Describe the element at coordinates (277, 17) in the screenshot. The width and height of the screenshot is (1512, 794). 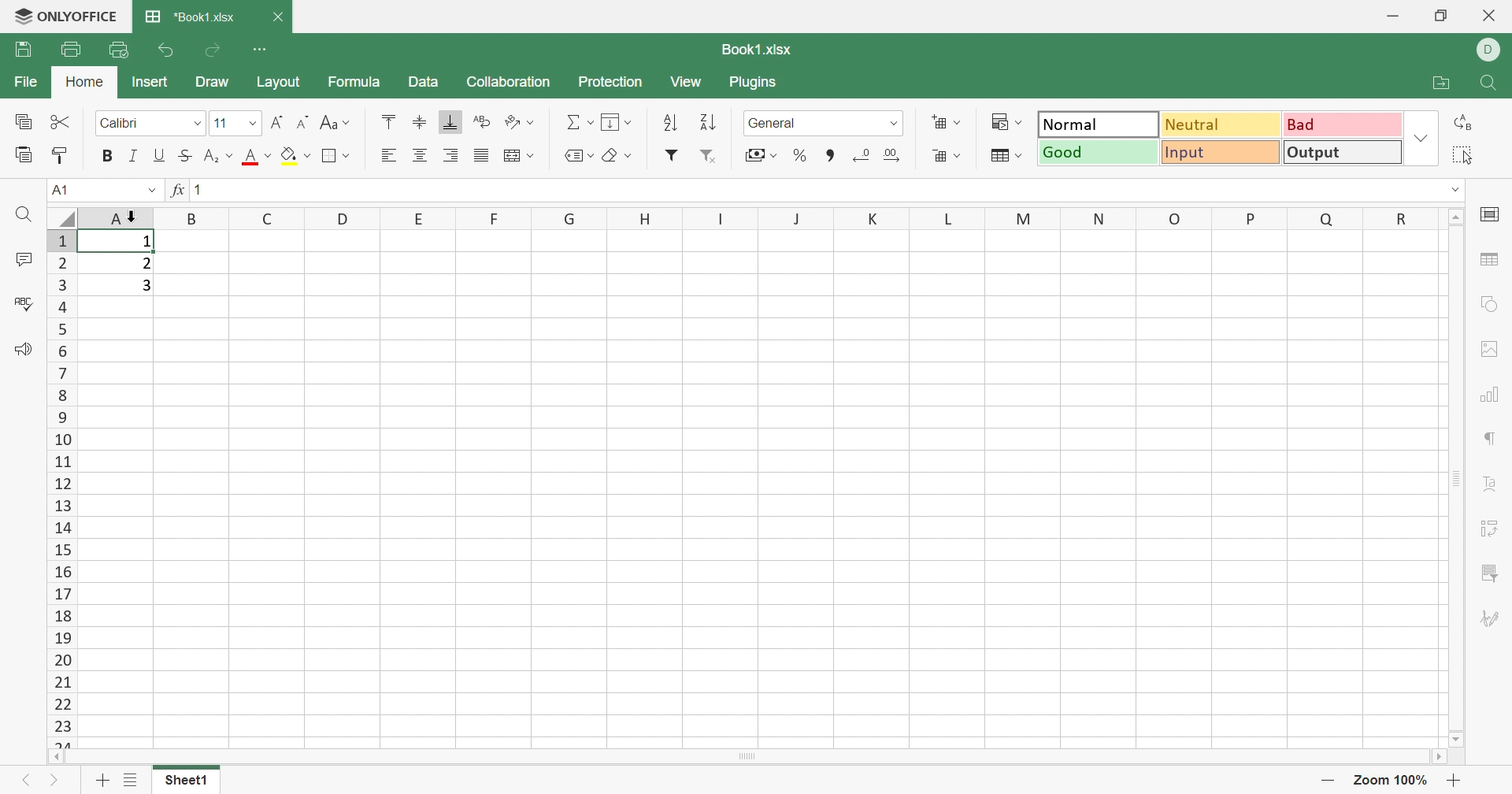
I see `Close` at that location.